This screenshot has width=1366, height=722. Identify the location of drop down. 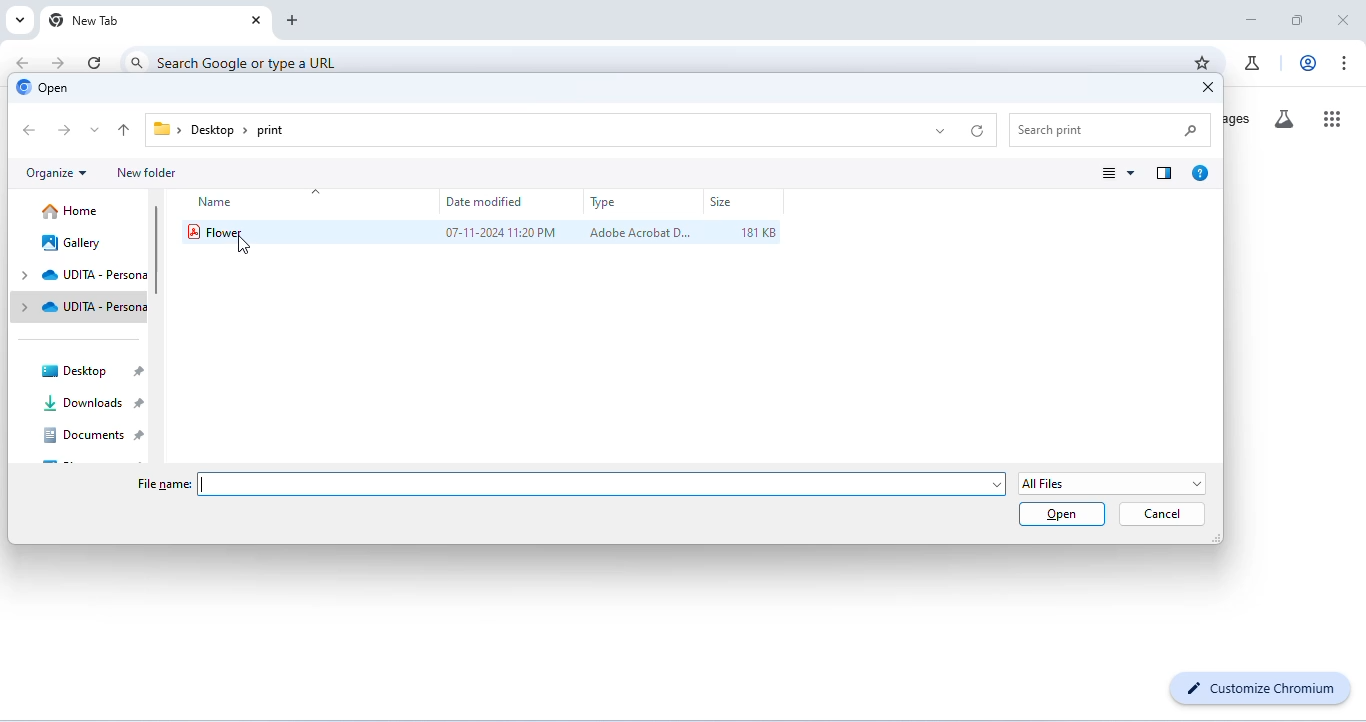
(96, 130).